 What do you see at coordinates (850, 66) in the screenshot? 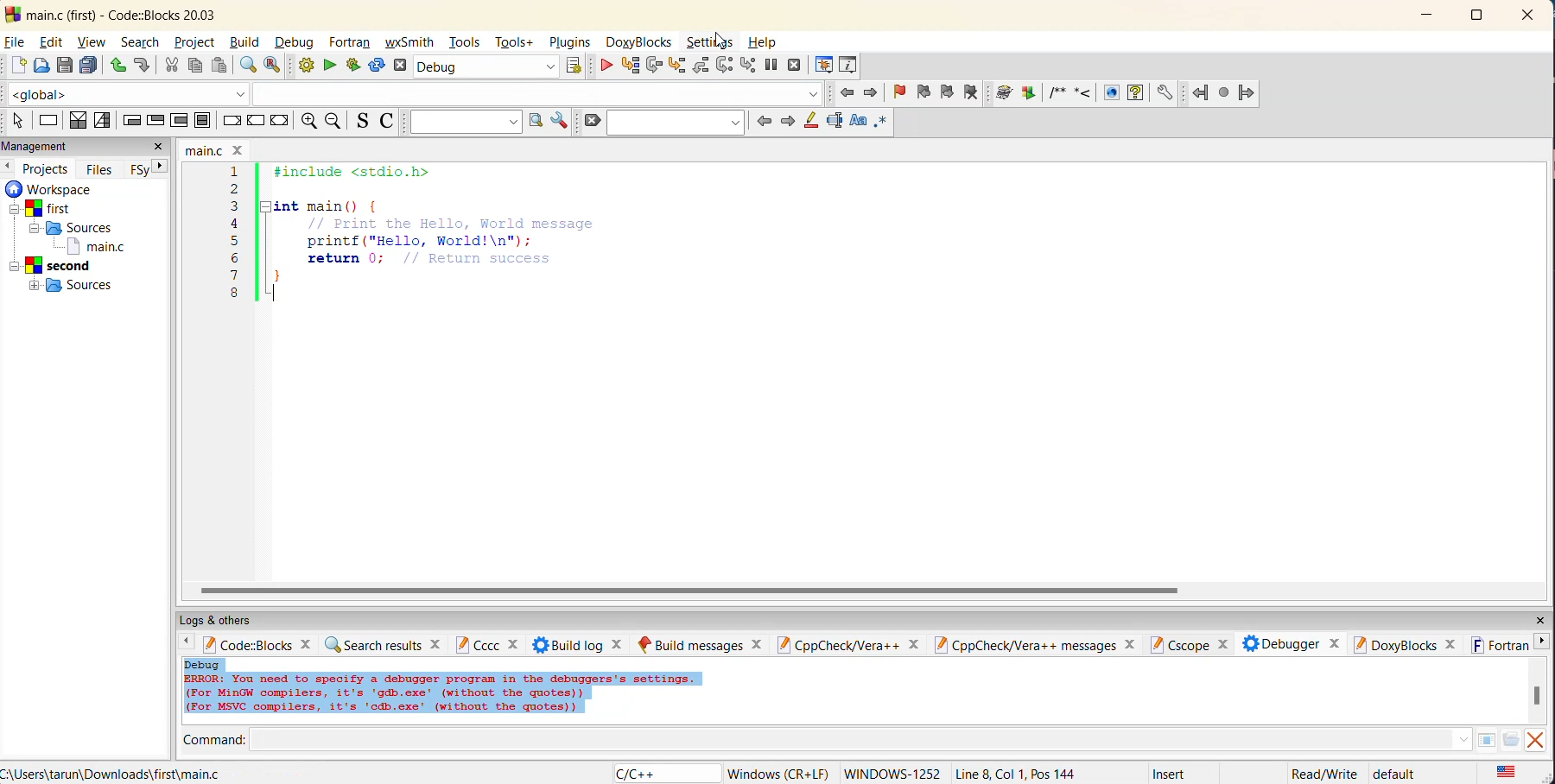
I see `various info` at bounding box center [850, 66].